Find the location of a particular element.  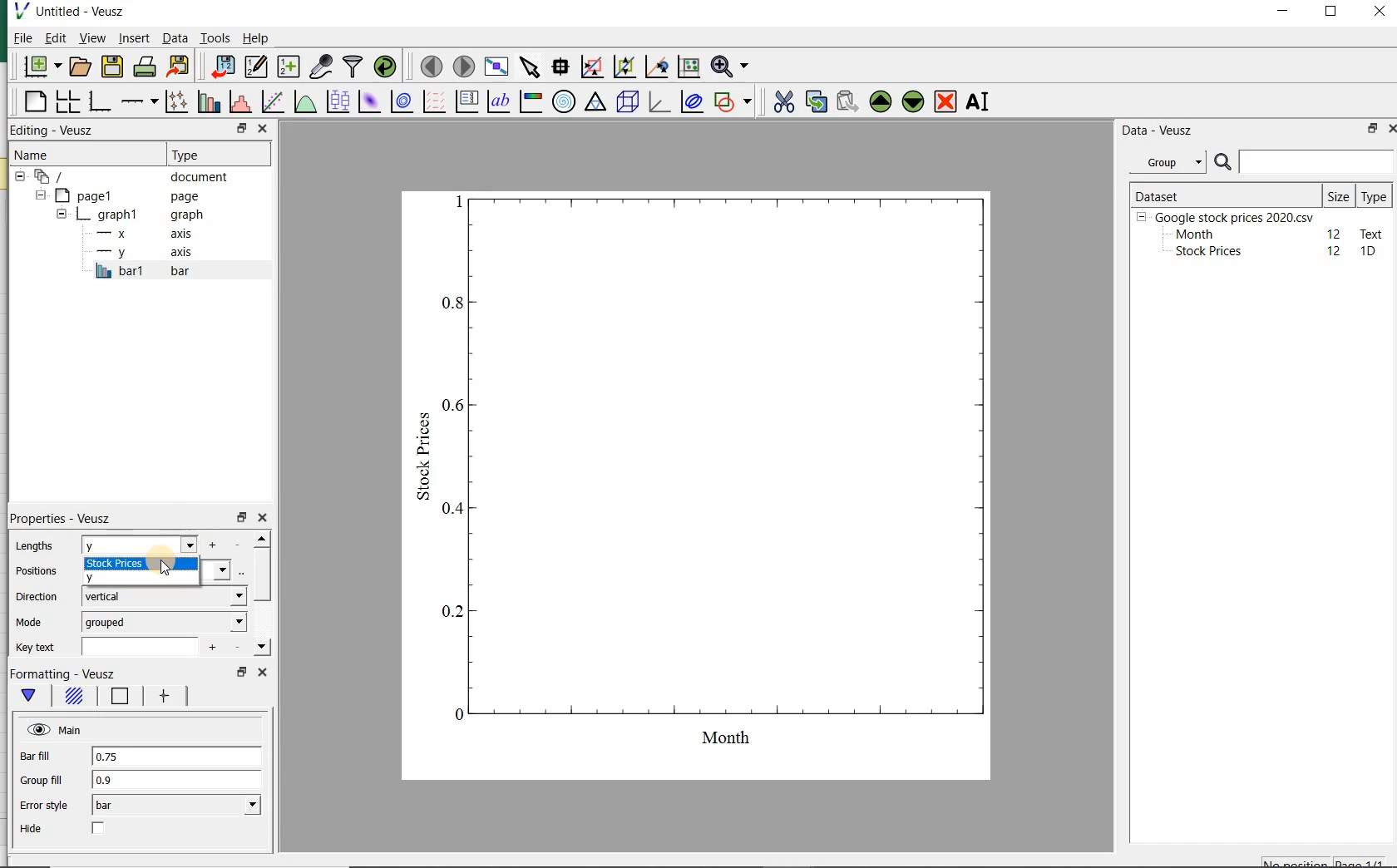

Formatting - Veusz is located at coordinates (67, 672).